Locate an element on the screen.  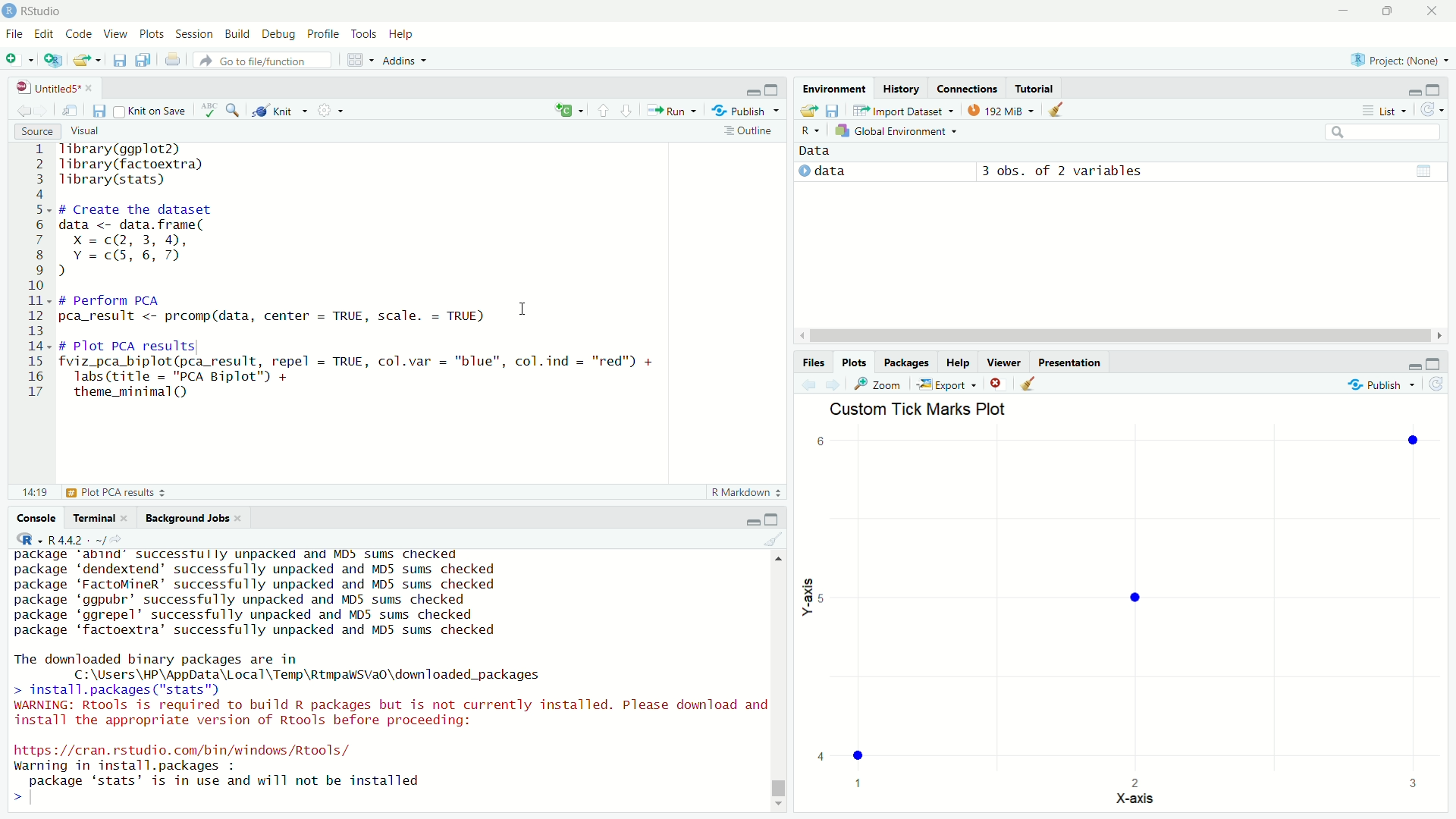
R language version - 4.4.2 is located at coordinates (82, 539).